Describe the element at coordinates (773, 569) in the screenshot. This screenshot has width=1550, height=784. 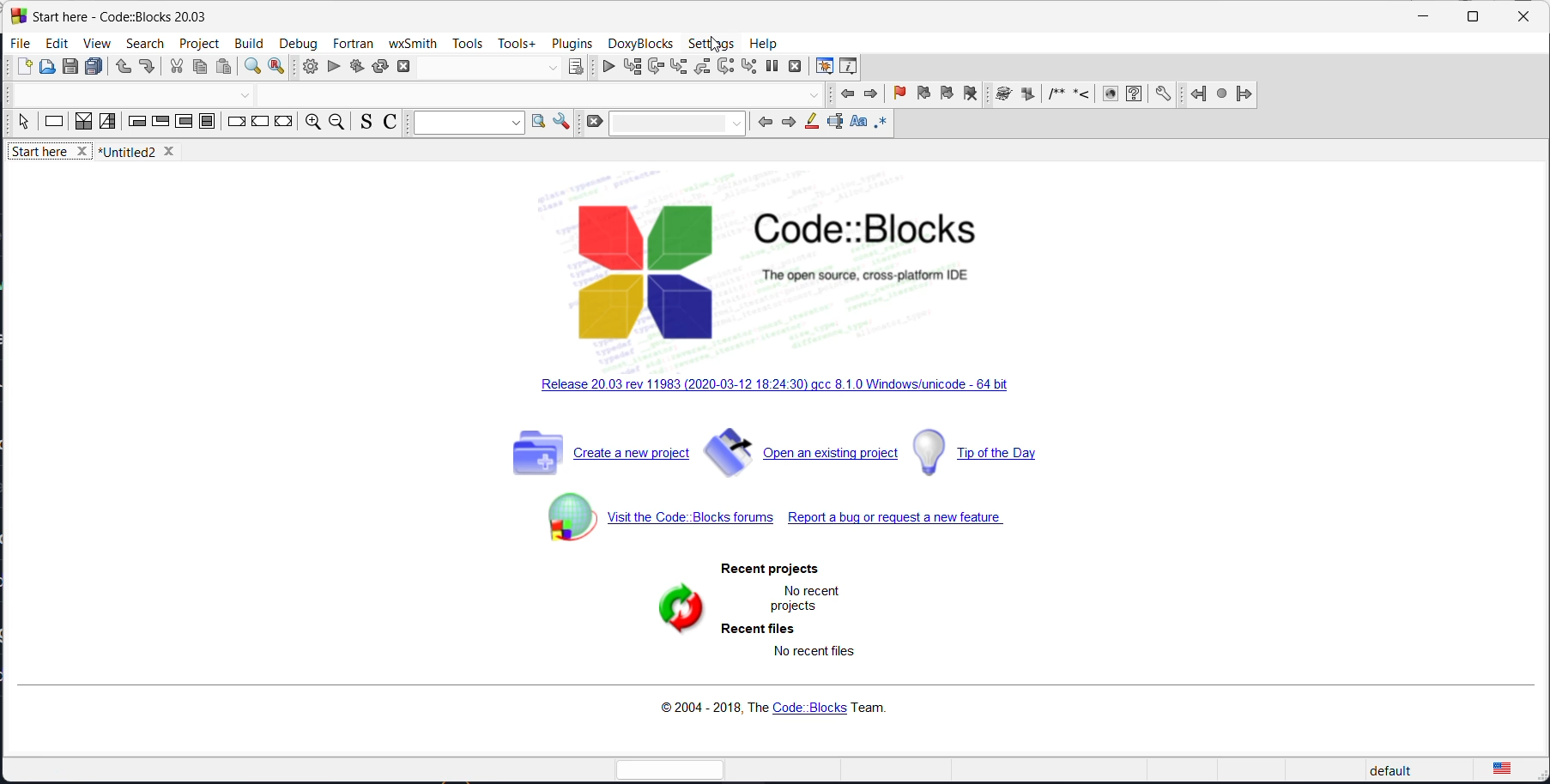
I see `recent projects` at that location.